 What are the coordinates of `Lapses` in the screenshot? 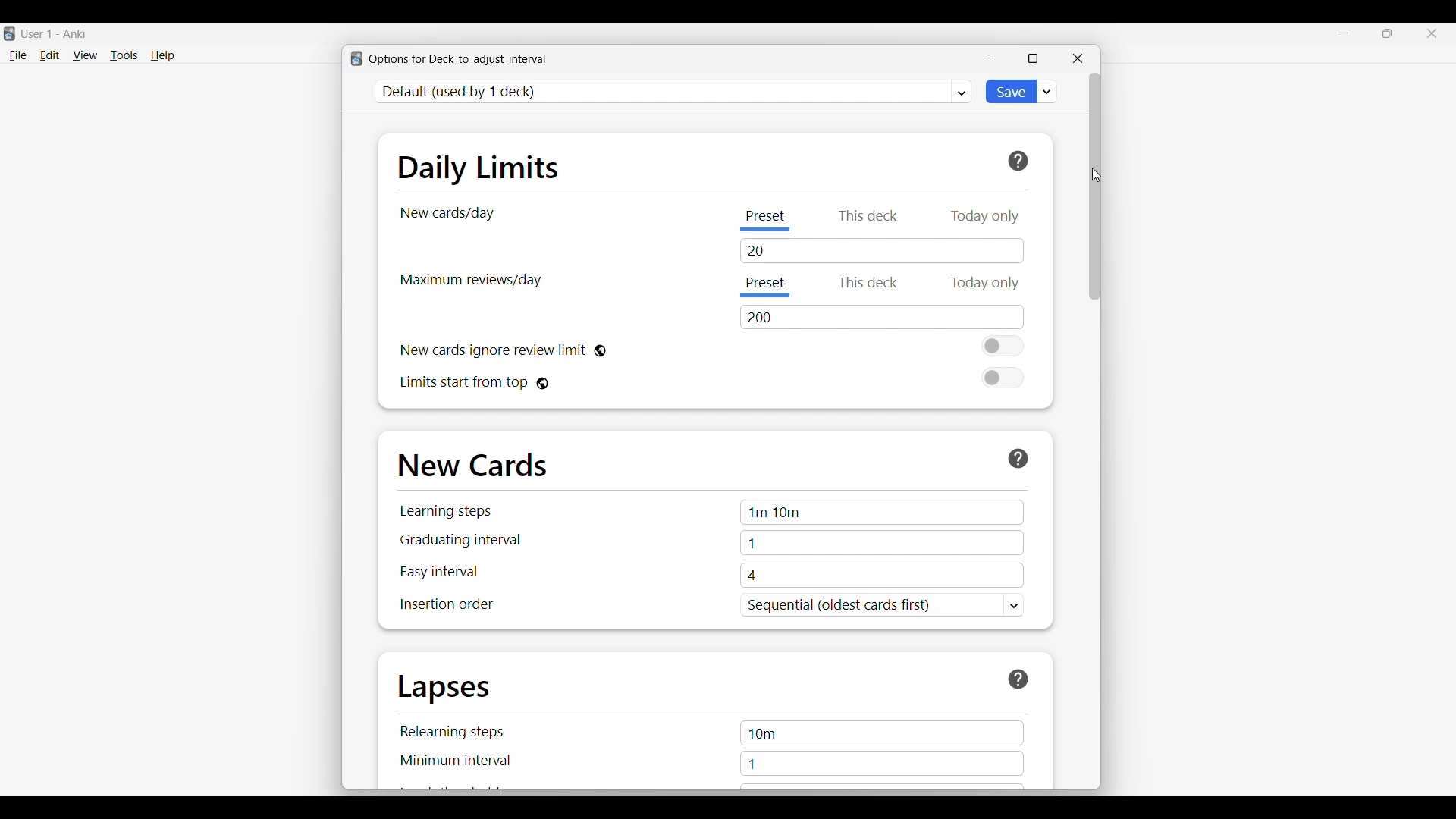 It's located at (444, 689).